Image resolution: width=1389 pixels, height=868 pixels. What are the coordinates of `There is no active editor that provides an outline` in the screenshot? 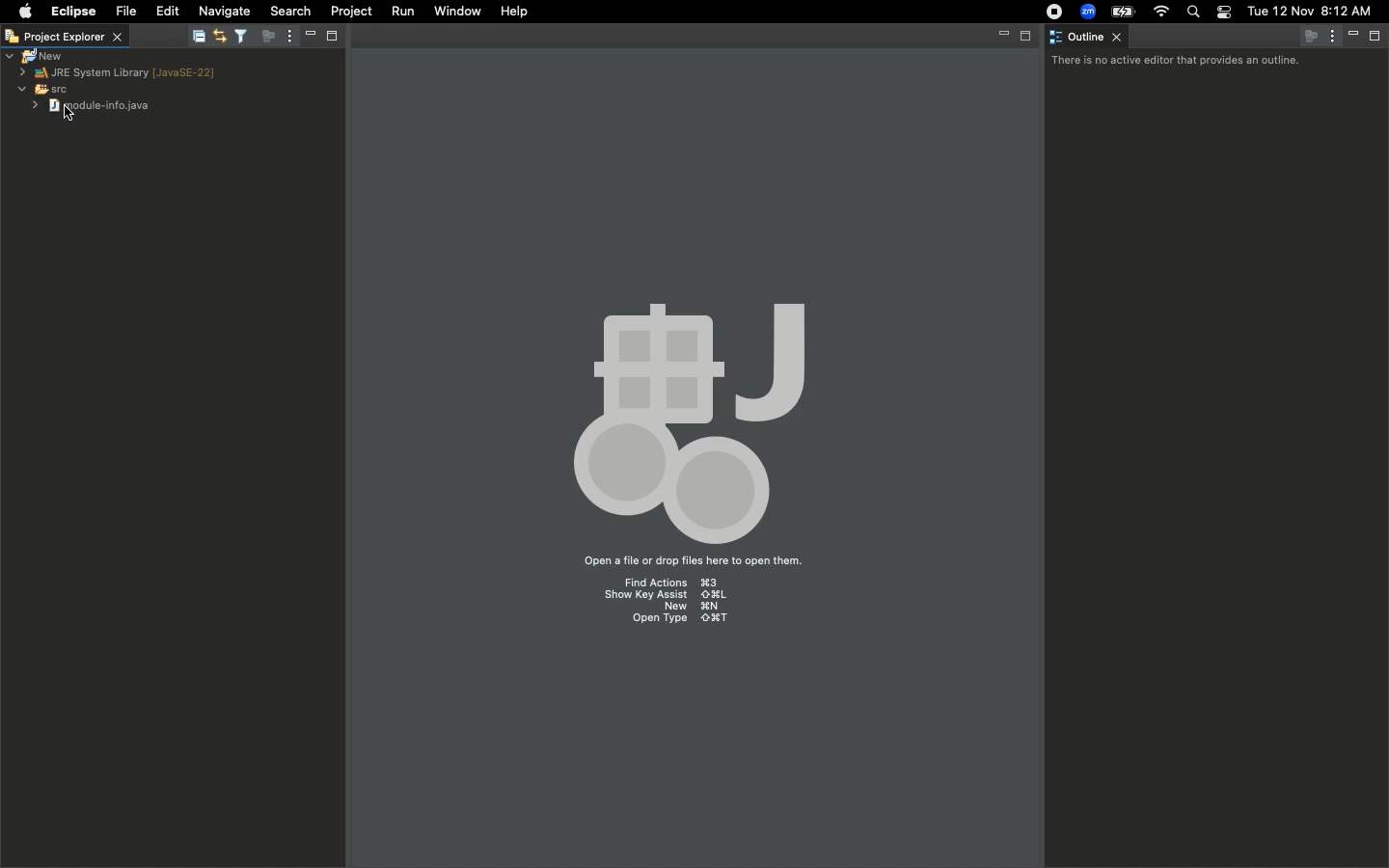 It's located at (1176, 62).